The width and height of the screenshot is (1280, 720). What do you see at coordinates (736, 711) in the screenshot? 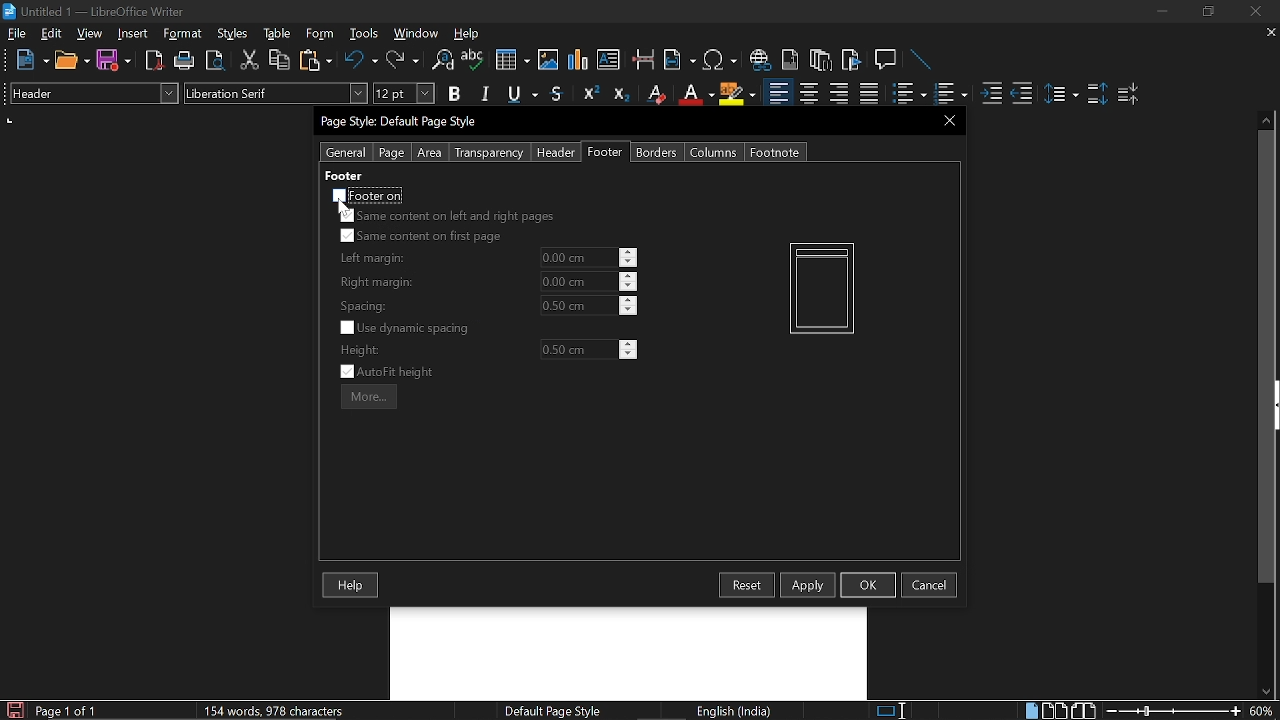
I see ` language` at bounding box center [736, 711].